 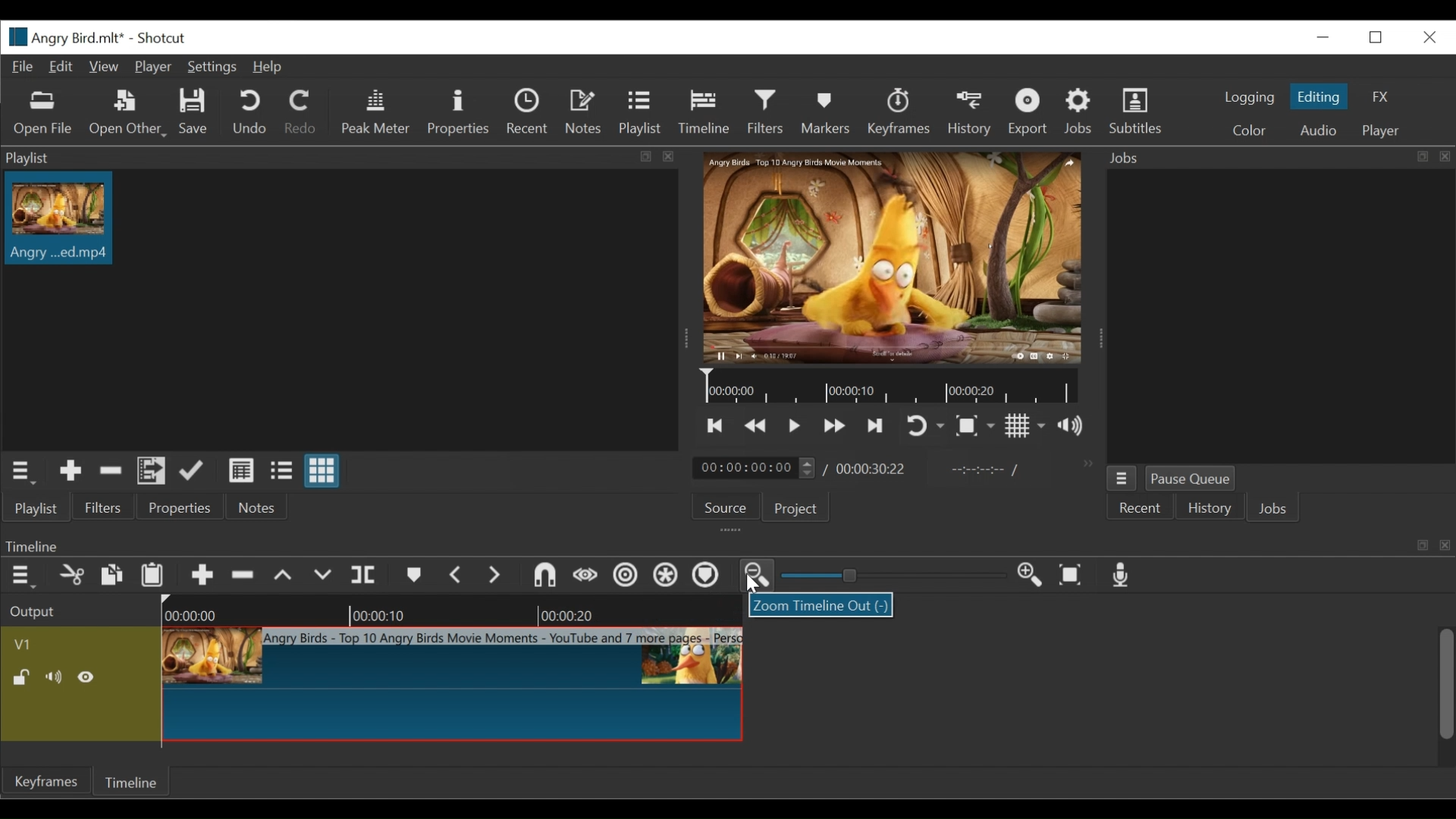 I want to click on Playlist, so click(x=639, y=111).